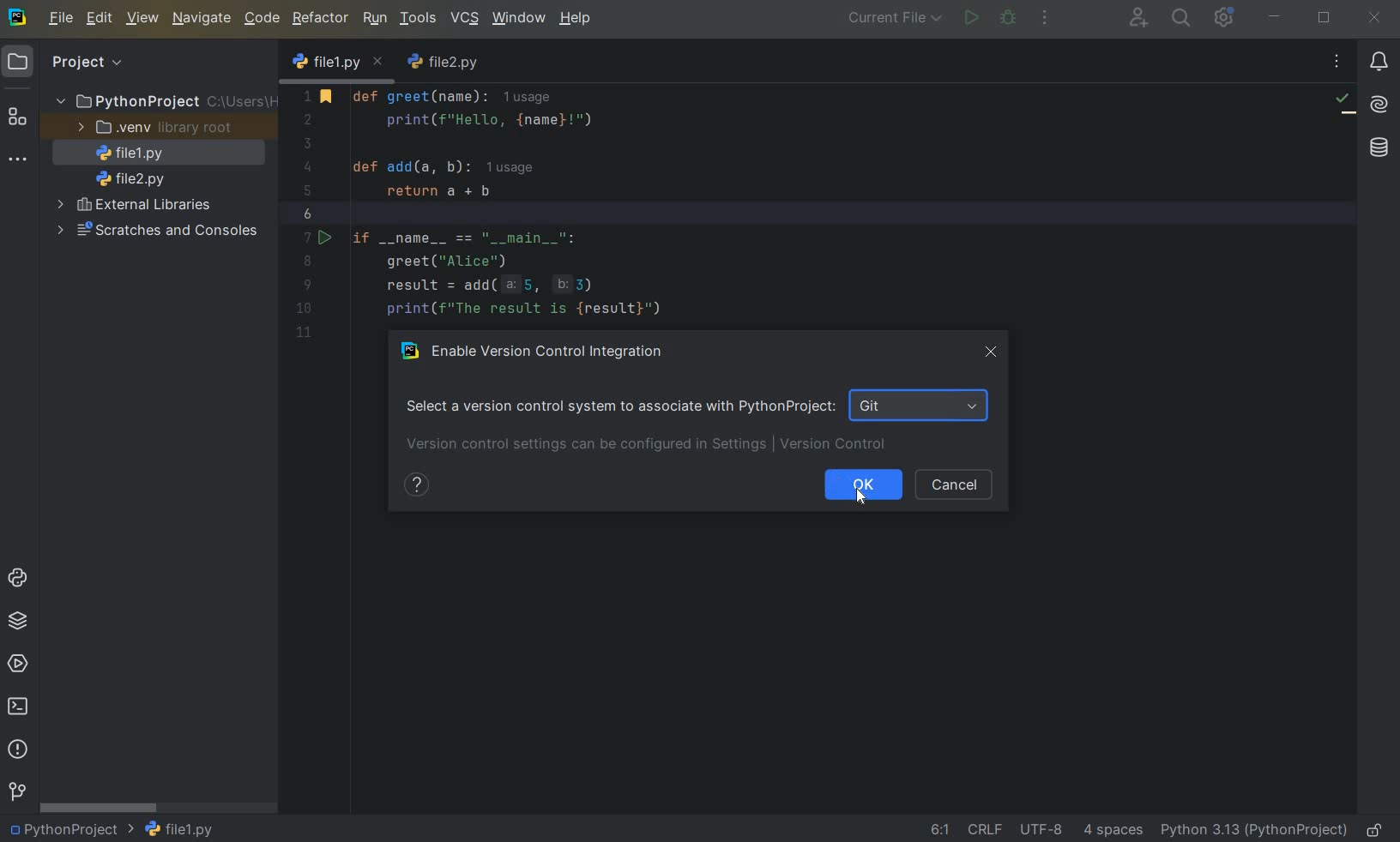 The width and height of the screenshot is (1400, 842). Describe the element at coordinates (144, 19) in the screenshot. I see `view` at that location.